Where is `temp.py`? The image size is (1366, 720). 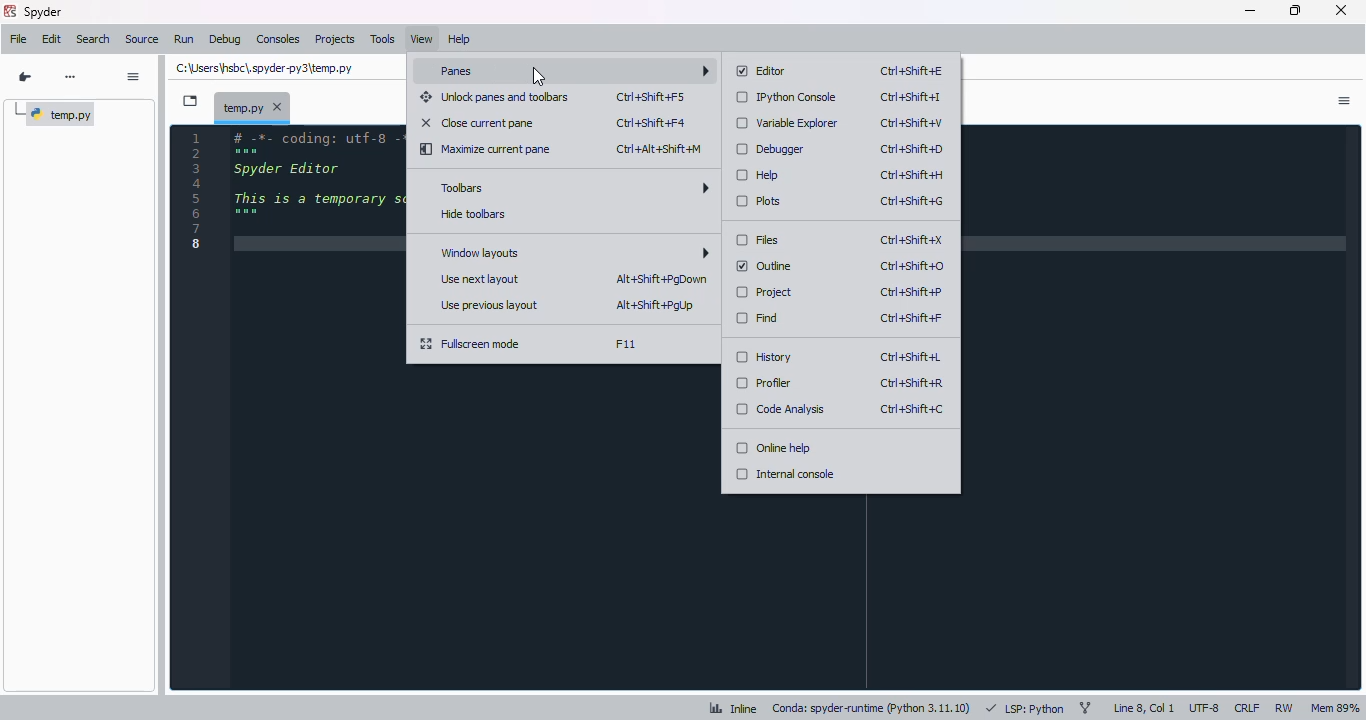
temp.py is located at coordinates (55, 115).